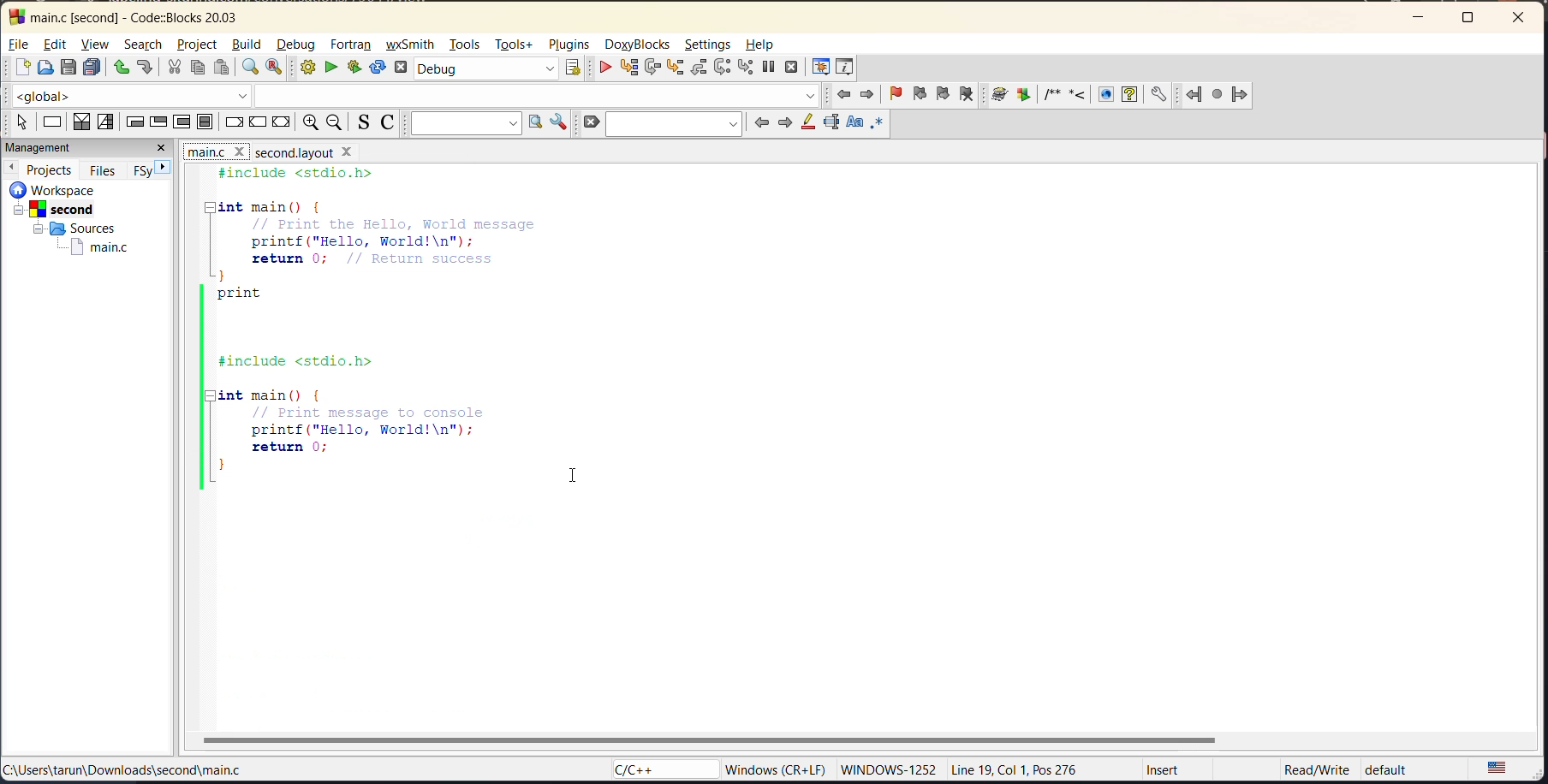 The height and width of the screenshot is (784, 1548). What do you see at coordinates (197, 68) in the screenshot?
I see `copy` at bounding box center [197, 68].